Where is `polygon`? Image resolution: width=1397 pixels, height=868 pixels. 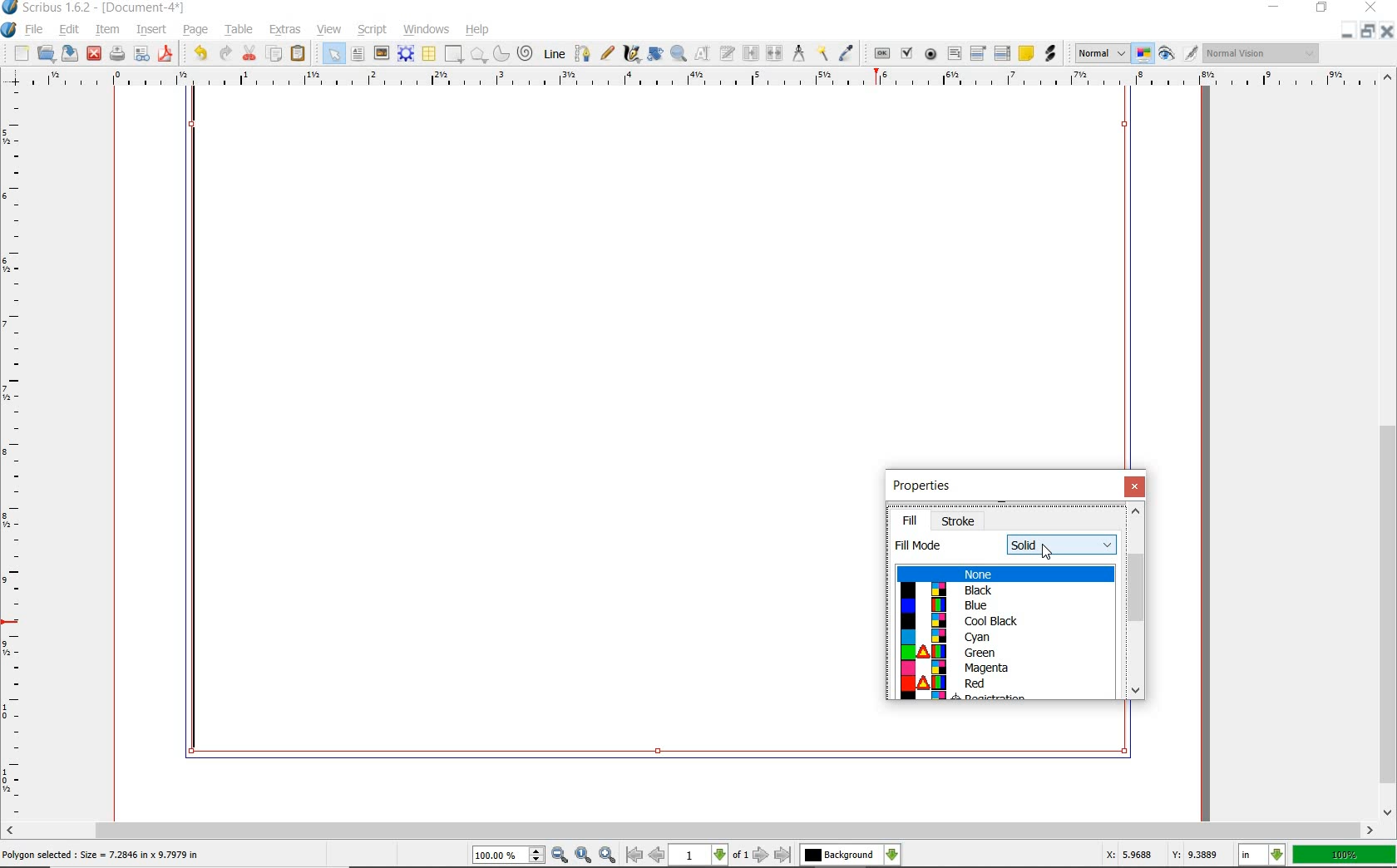 polygon is located at coordinates (479, 56).